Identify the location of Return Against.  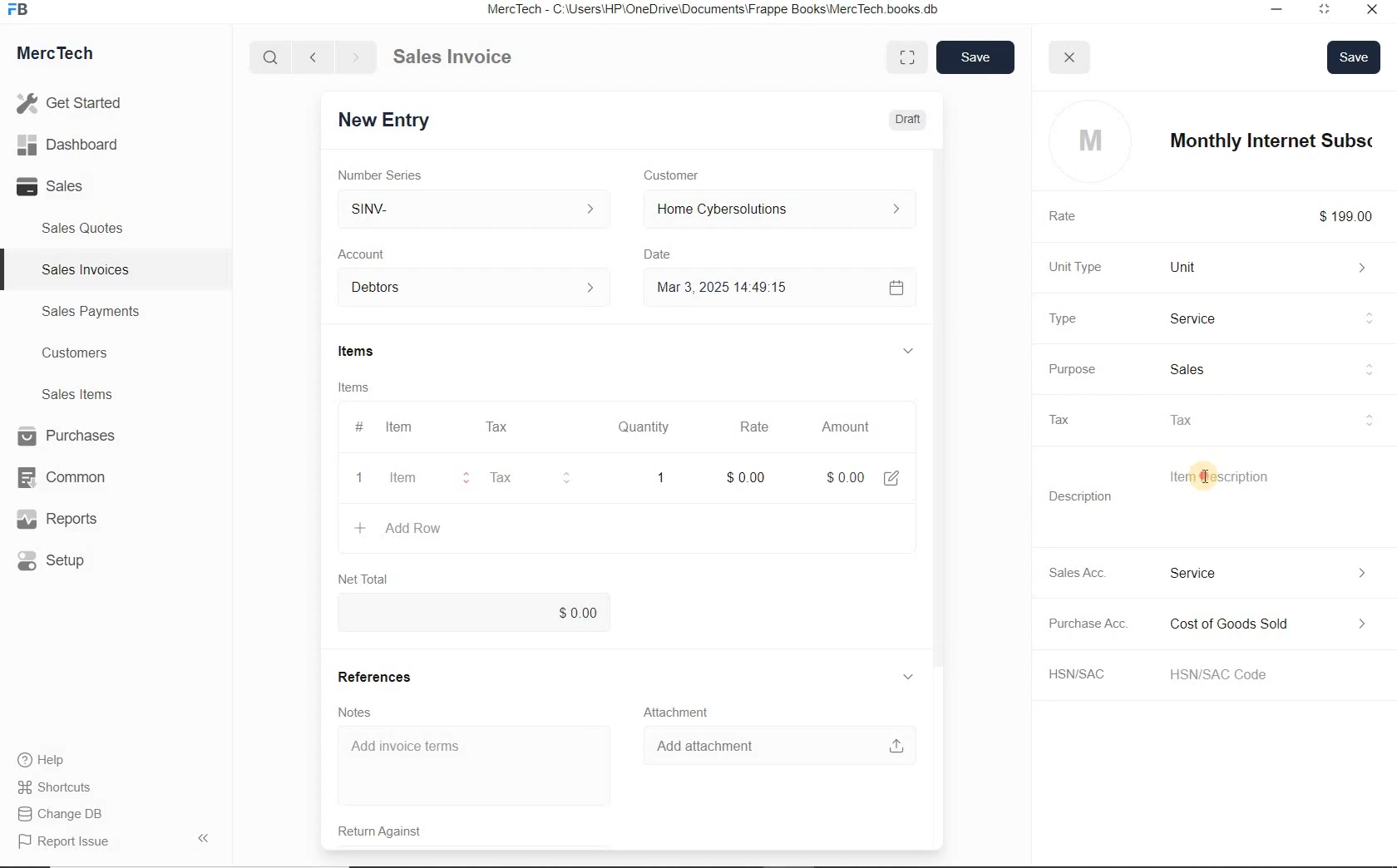
(391, 830).